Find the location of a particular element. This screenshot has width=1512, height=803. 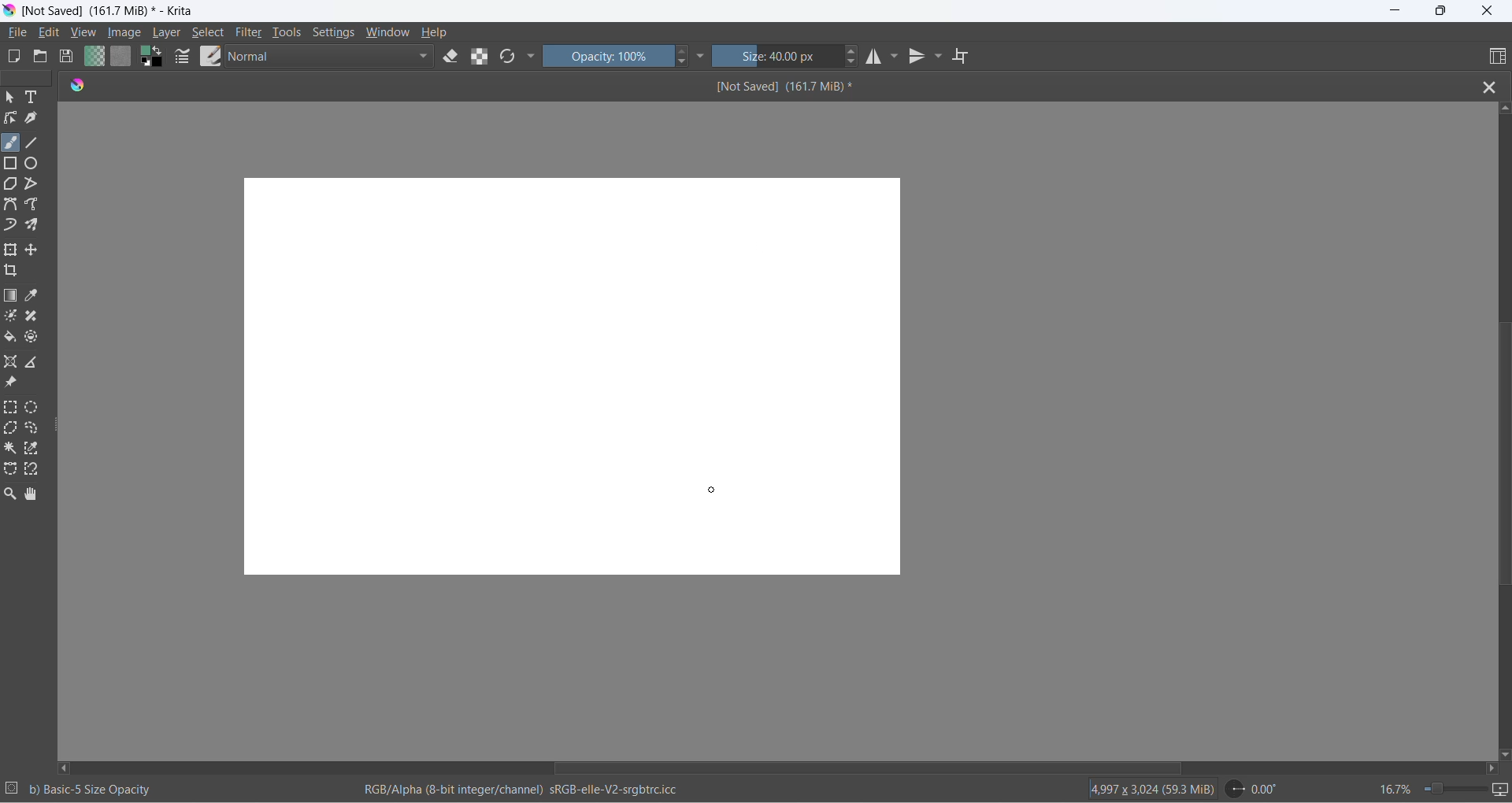

smart patch tool is located at coordinates (36, 317).